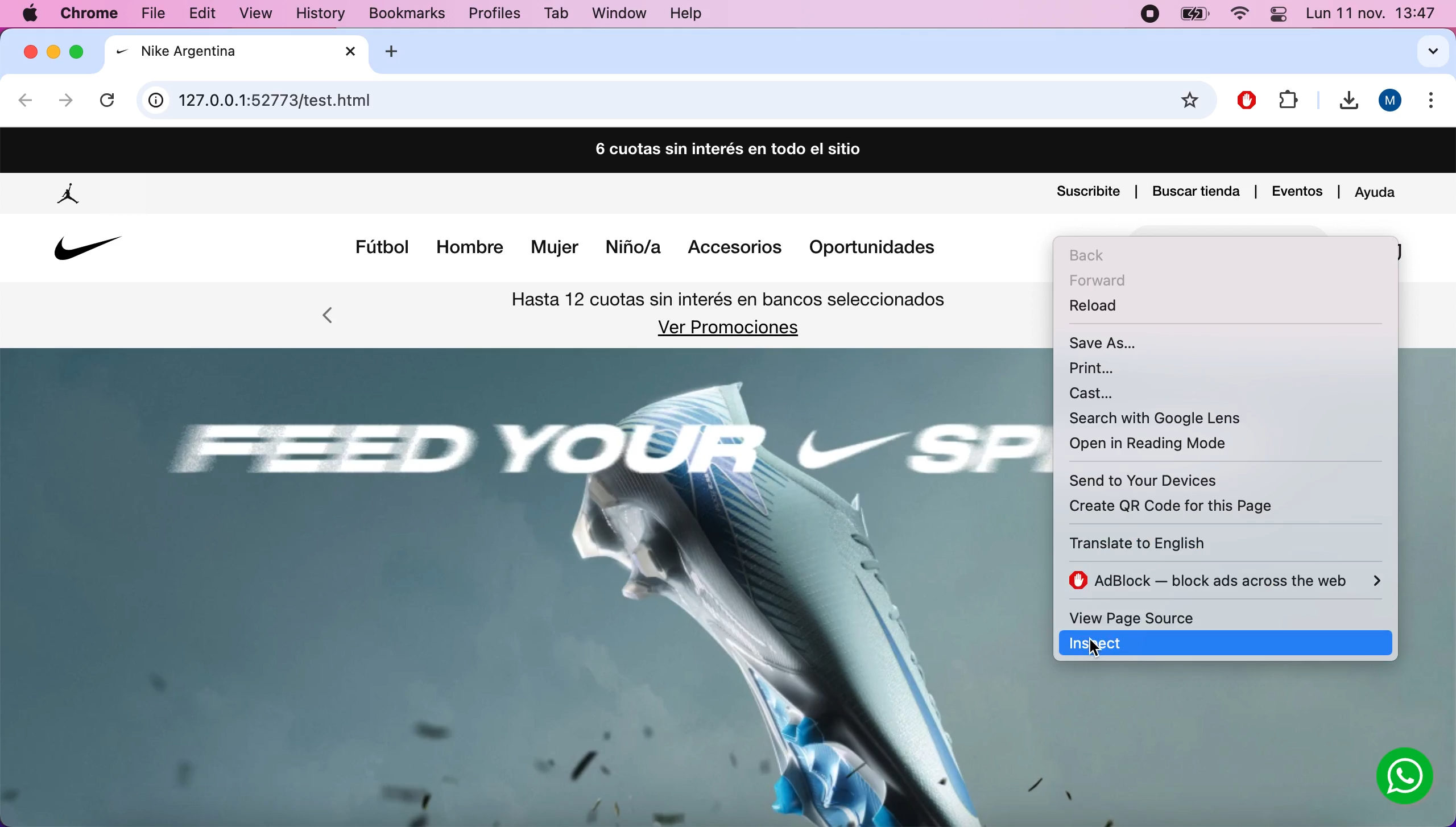 The image size is (1456, 827). Describe the element at coordinates (1248, 97) in the screenshot. I see `stop ad blocker` at that location.